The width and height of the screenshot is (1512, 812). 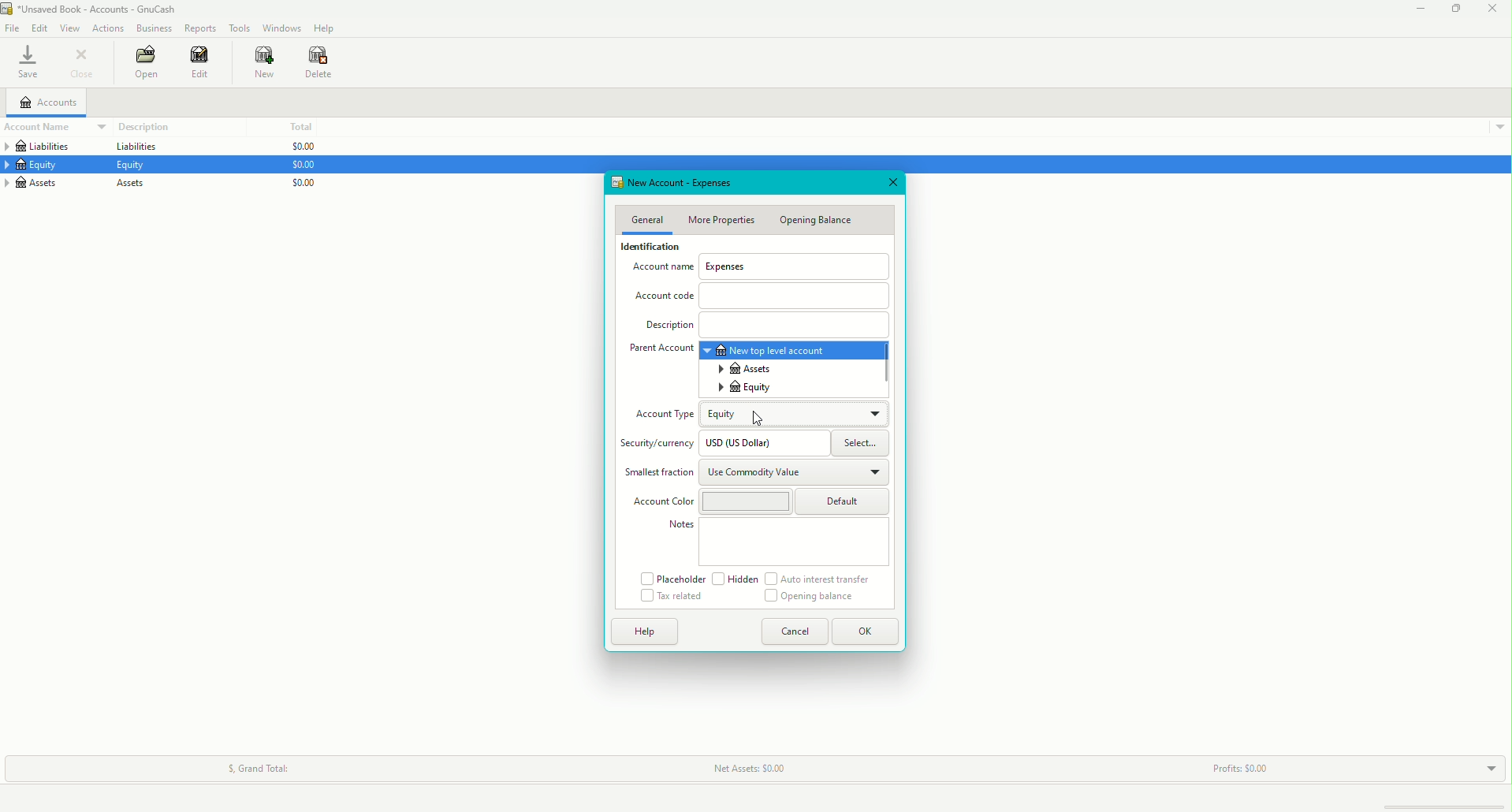 I want to click on Windows, so click(x=281, y=28).